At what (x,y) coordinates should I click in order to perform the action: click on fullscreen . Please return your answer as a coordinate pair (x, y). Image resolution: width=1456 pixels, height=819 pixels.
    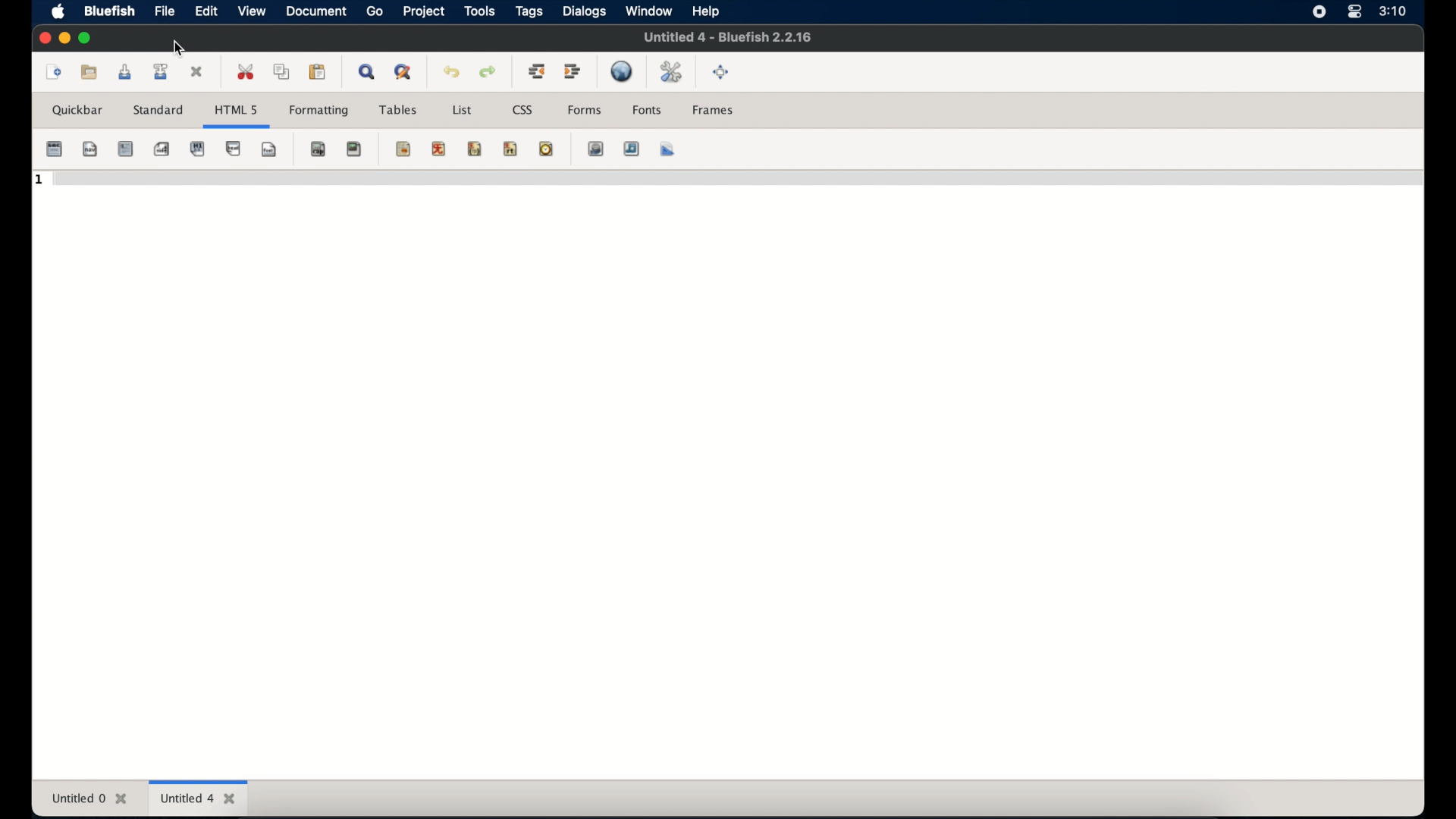
    Looking at the image, I should click on (721, 72).